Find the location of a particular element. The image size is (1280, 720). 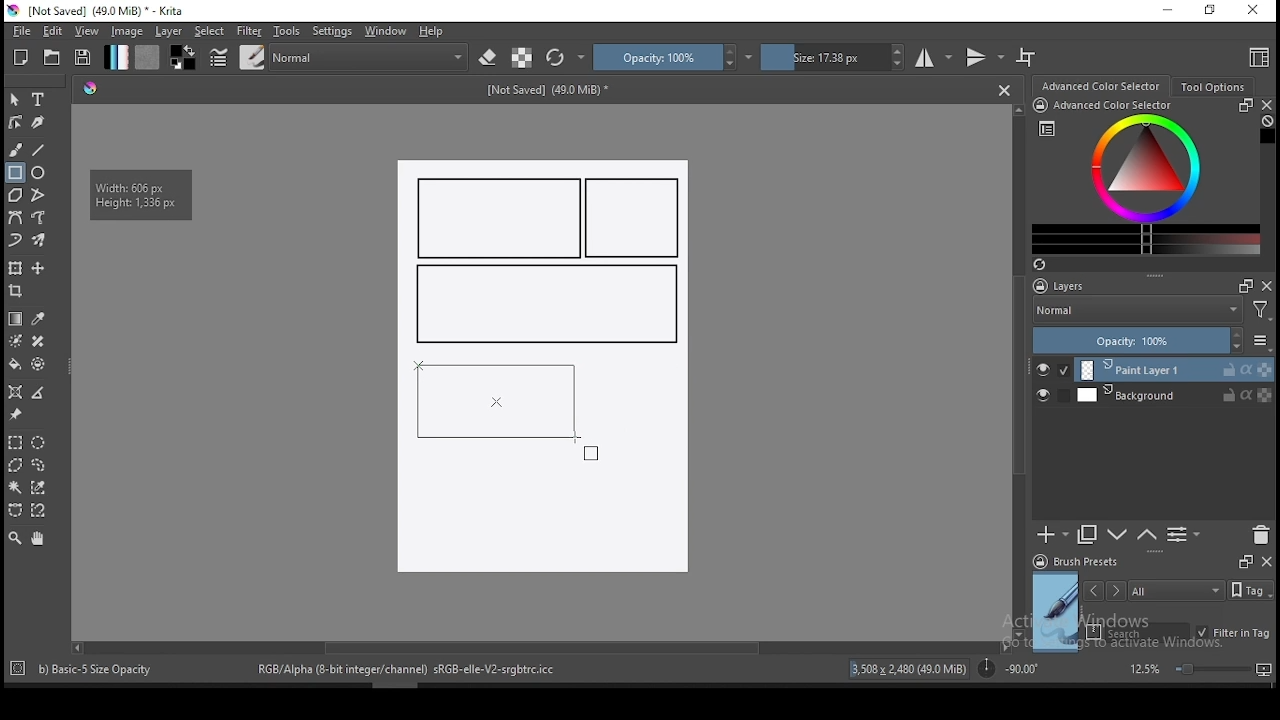

brushes is located at coordinates (252, 57).